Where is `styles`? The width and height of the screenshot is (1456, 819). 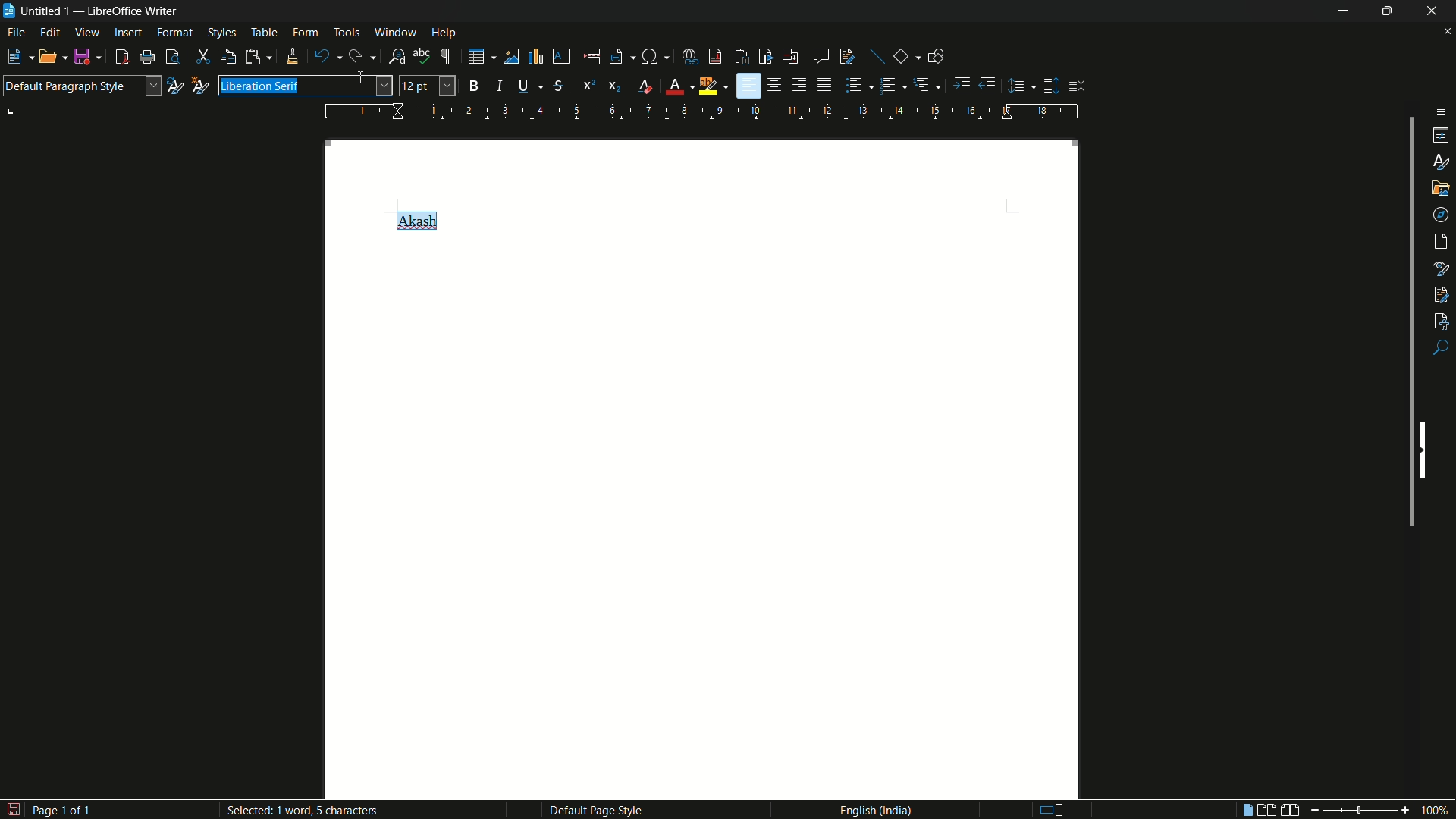
styles is located at coordinates (1442, 161).